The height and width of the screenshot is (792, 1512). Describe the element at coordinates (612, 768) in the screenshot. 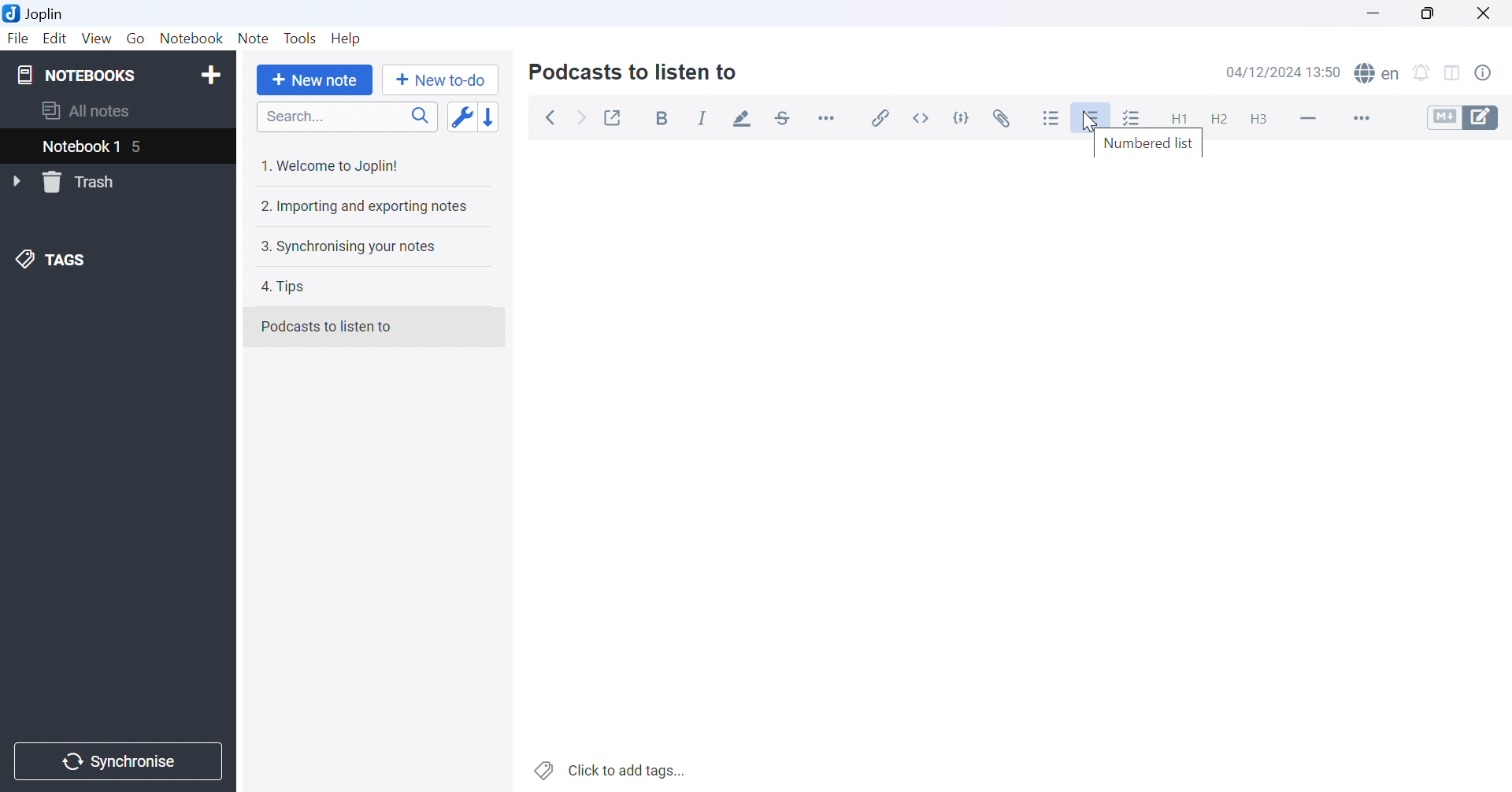

I see `Click to add notes...` at that location.